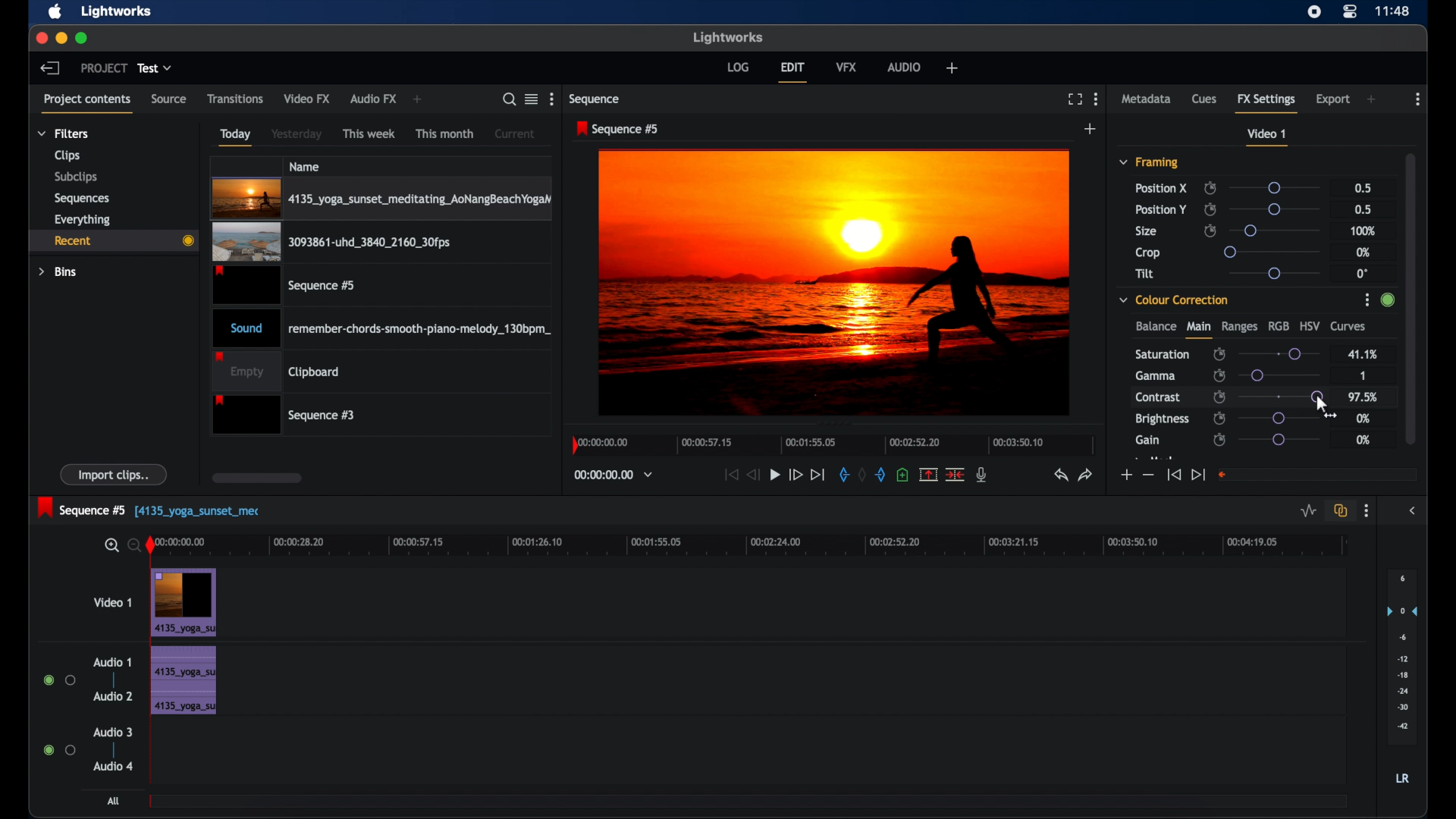 This screenshot has width=1456, height=819. Describe the element at coordinates (1279, 325) in the screenshot. I see `rgb` at that location.